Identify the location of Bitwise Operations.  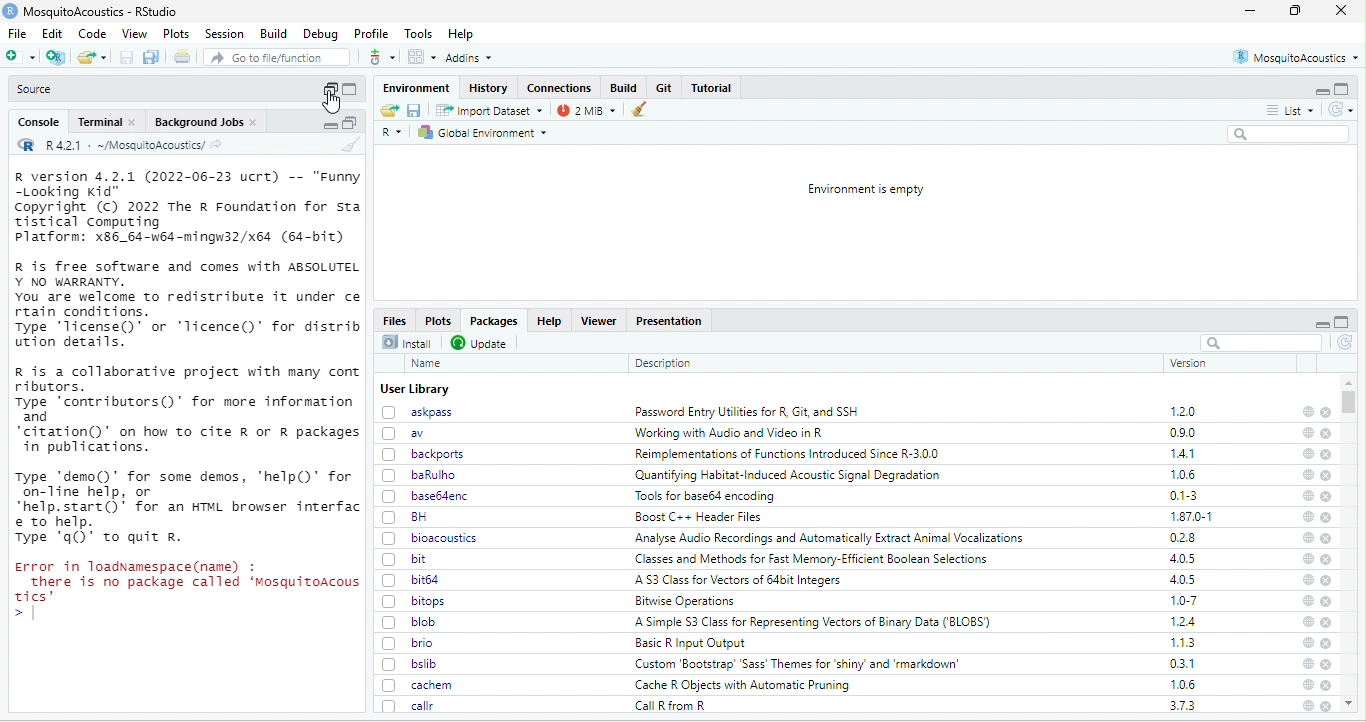
(685, 601).